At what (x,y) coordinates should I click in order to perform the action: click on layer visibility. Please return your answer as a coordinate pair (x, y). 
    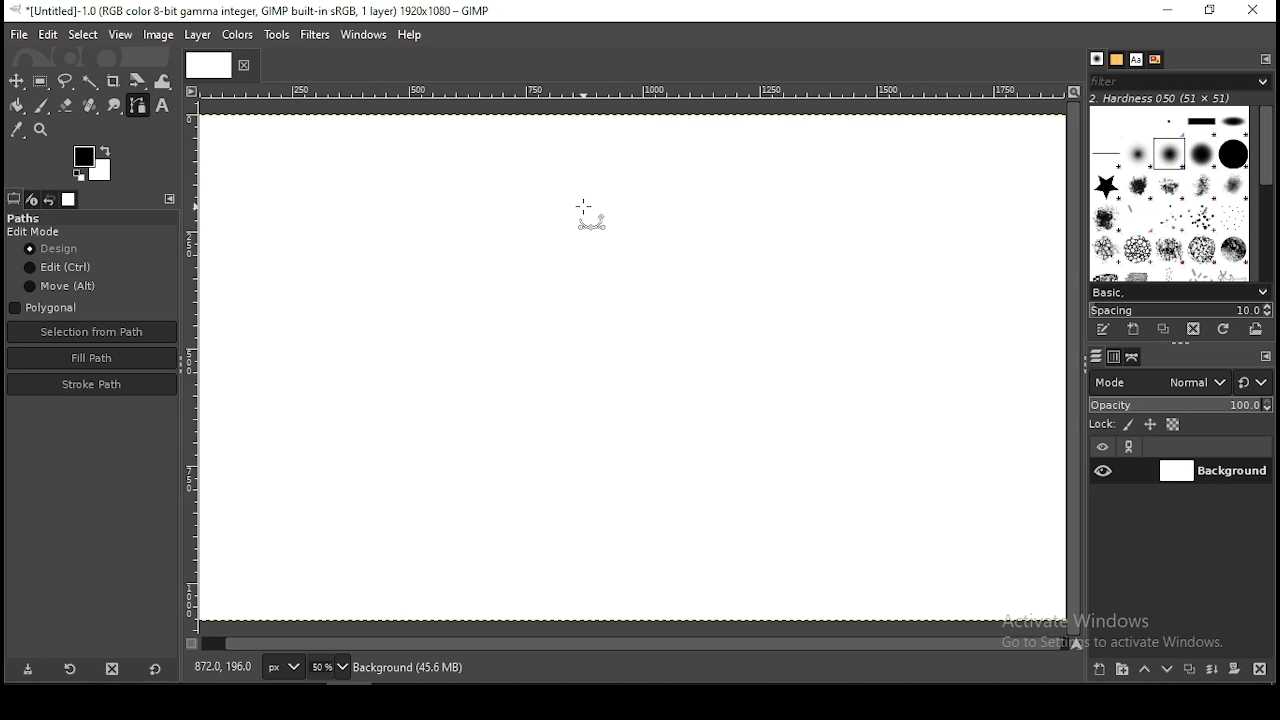
    Looking at the image, I should click on (1103, 446).